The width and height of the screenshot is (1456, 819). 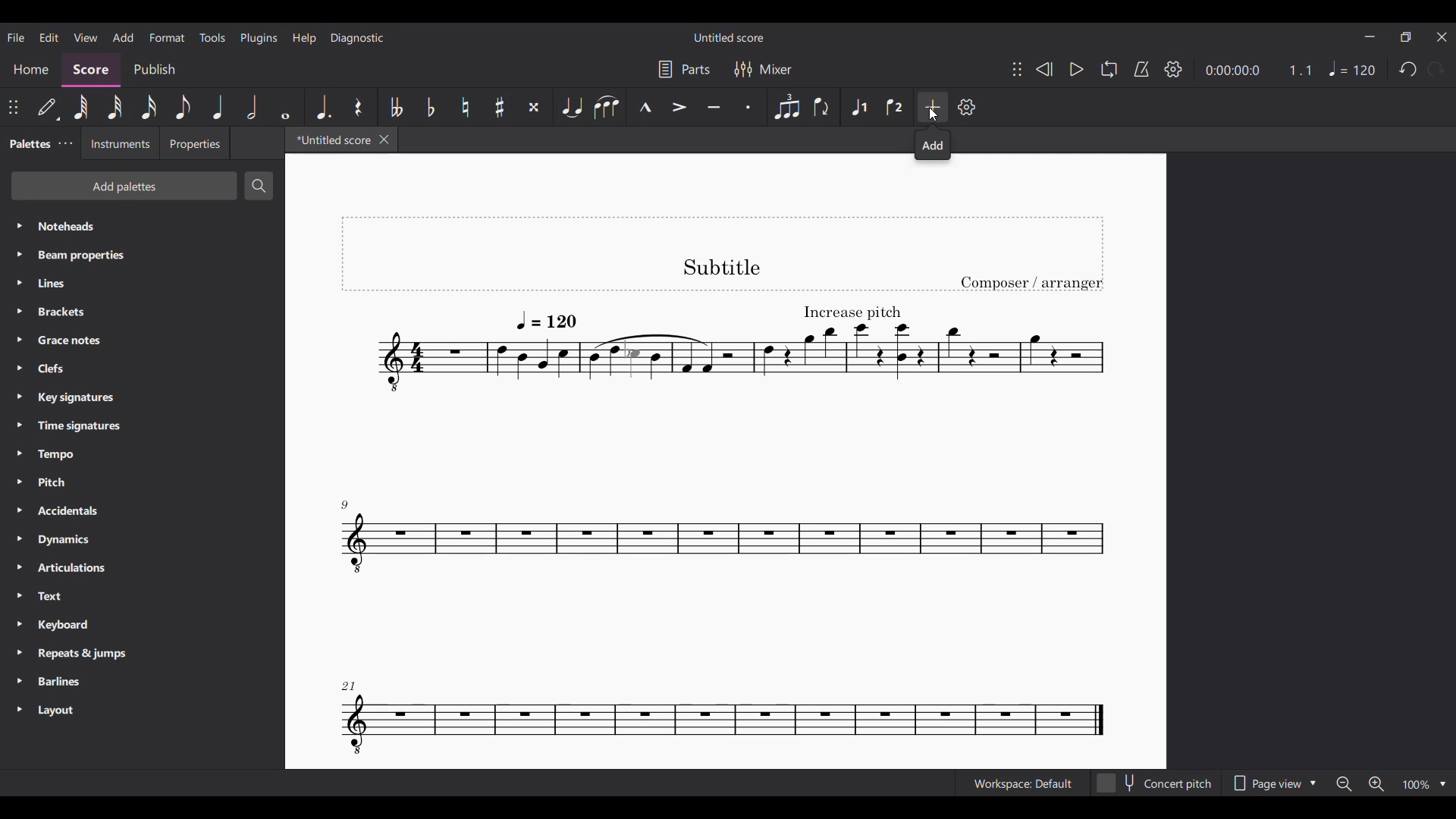 I want to click on Clefs, so click(x=141, y=369).